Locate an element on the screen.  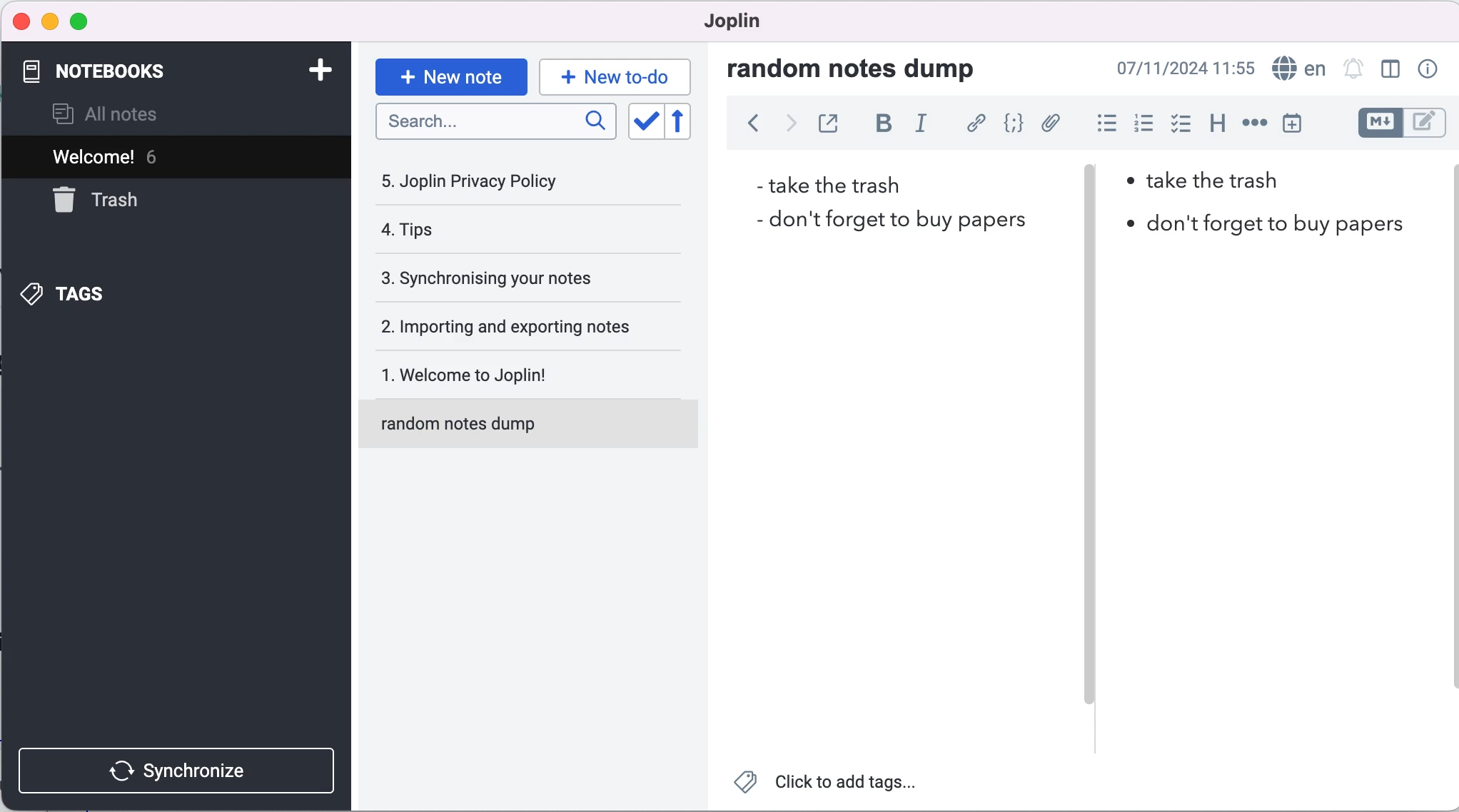
hyperlink is located at coordinates (973, 124).